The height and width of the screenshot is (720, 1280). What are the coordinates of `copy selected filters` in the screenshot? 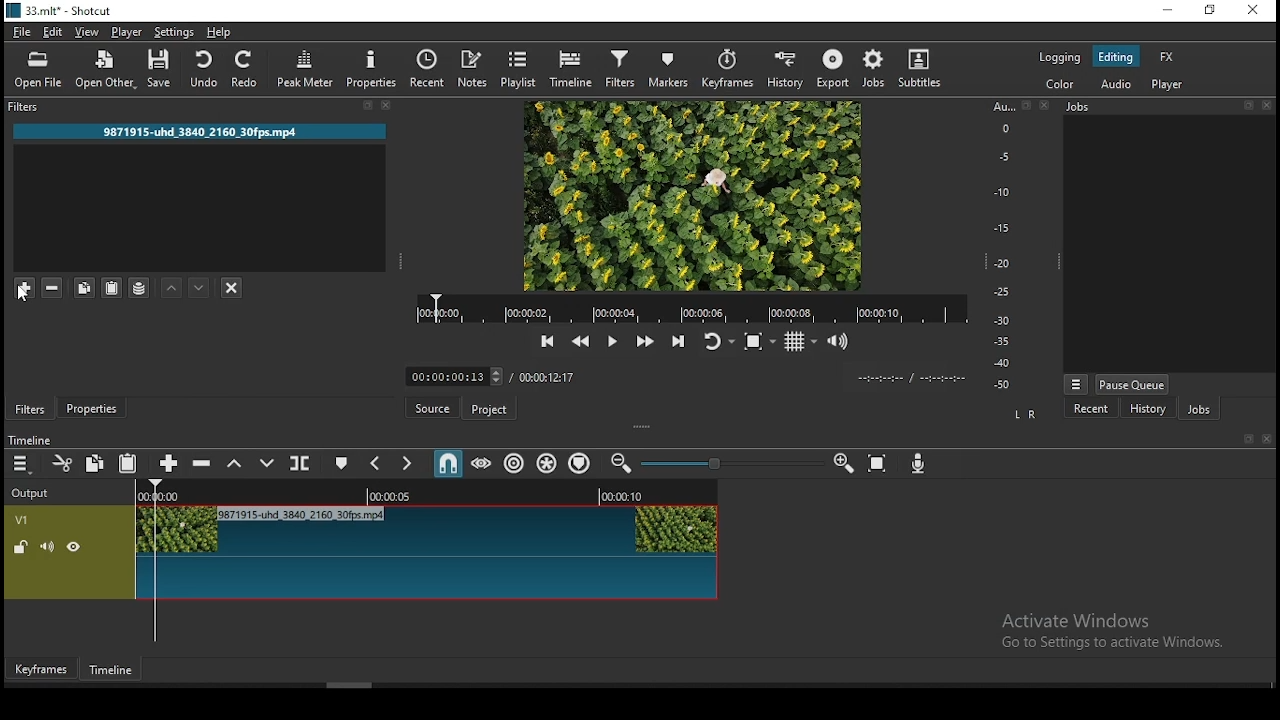 It's located at (85, 290).